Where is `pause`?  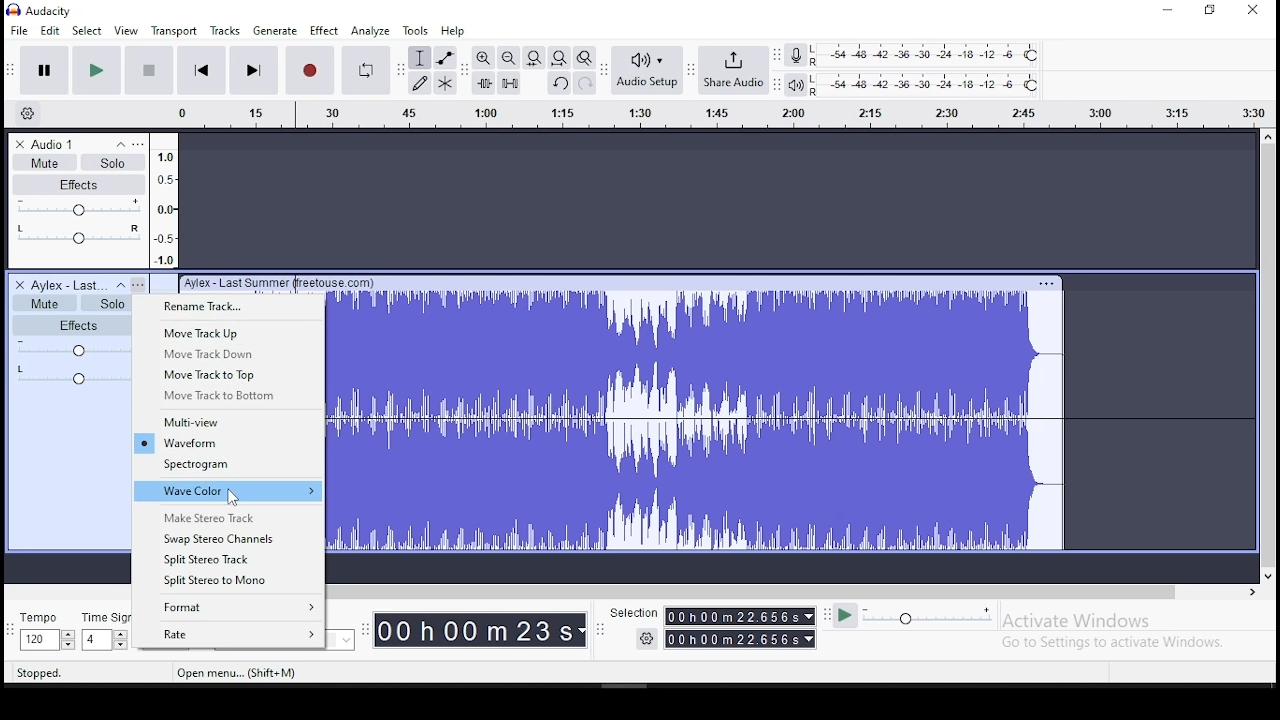 pause is located at coordinates (44, 71).